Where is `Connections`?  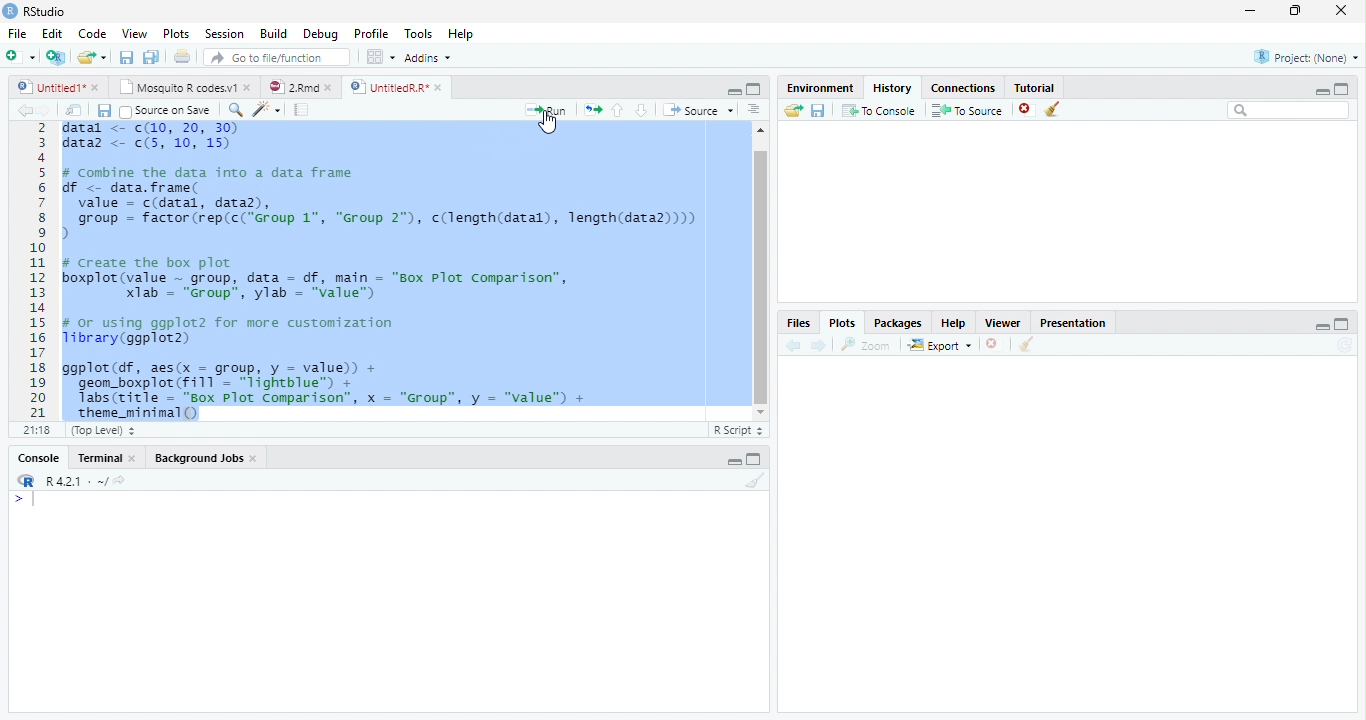
Connections is located at coordinates (963, 88).